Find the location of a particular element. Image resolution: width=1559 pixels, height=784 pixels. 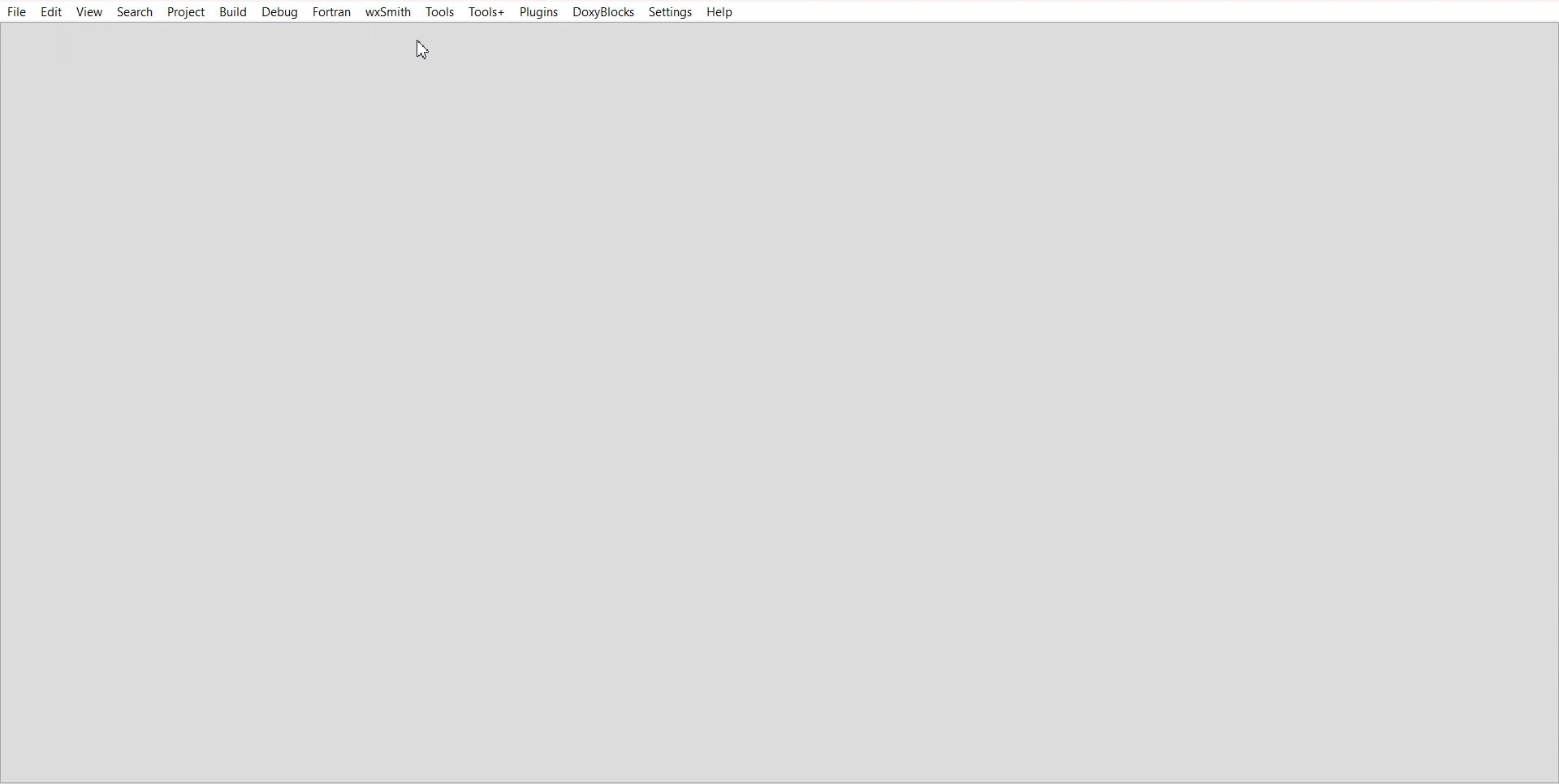

Tools+ is located at coordinates (486, 12).